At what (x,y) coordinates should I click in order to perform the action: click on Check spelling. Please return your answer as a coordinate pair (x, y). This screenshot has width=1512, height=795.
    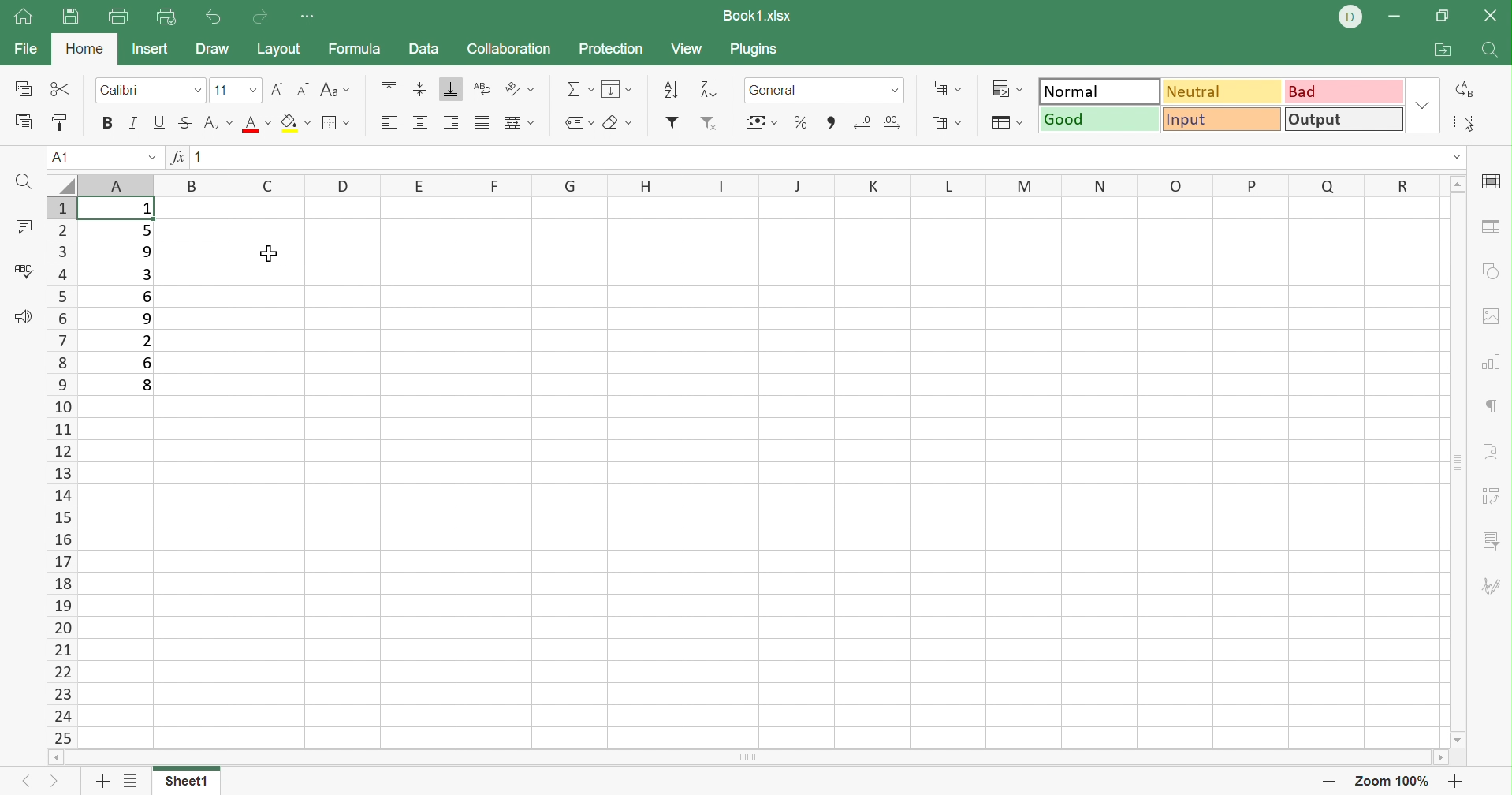
    Looking at the image, I should click on (24, 274).